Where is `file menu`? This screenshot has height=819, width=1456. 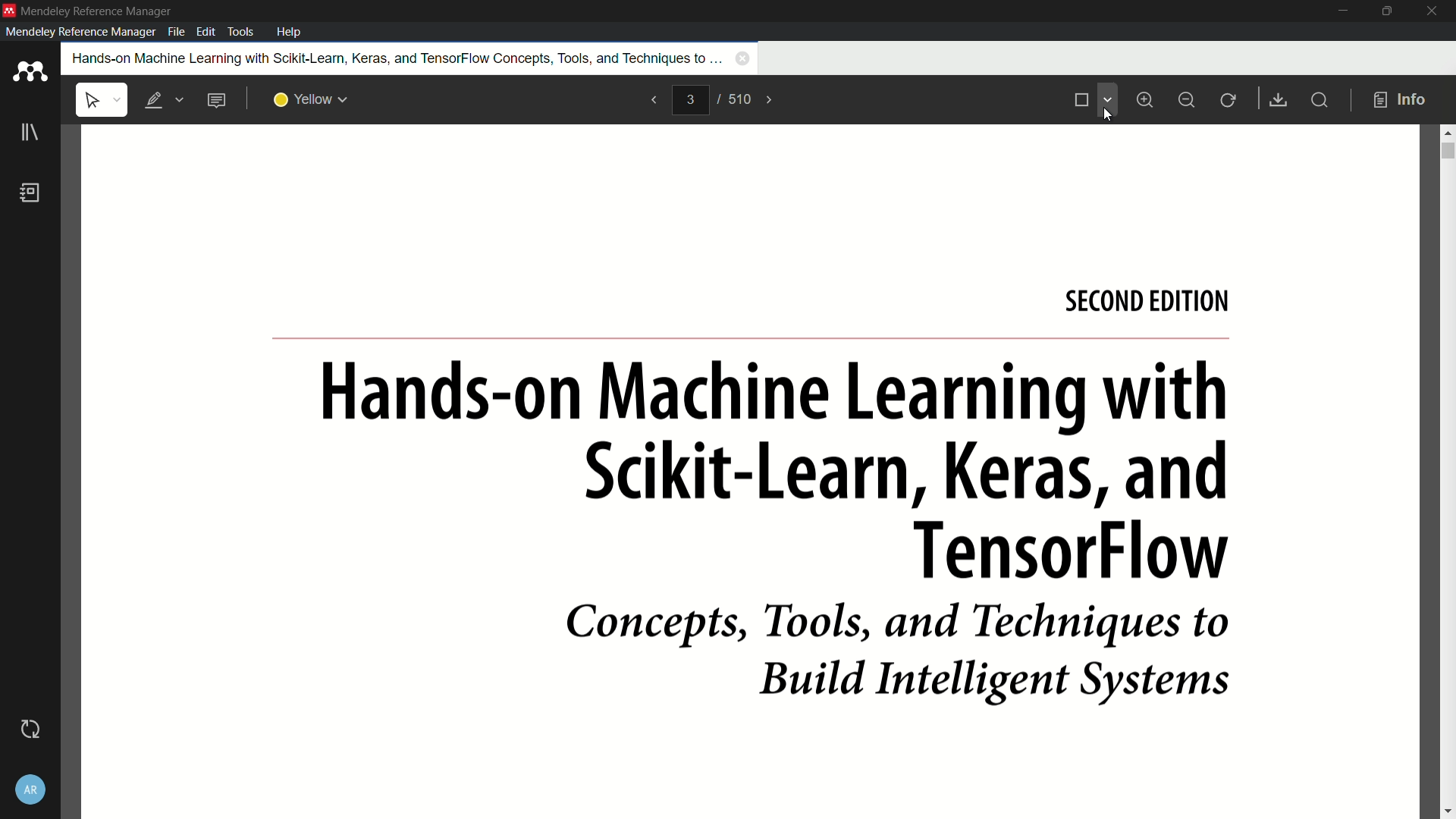
file menu is located at coordinates (176, 32).